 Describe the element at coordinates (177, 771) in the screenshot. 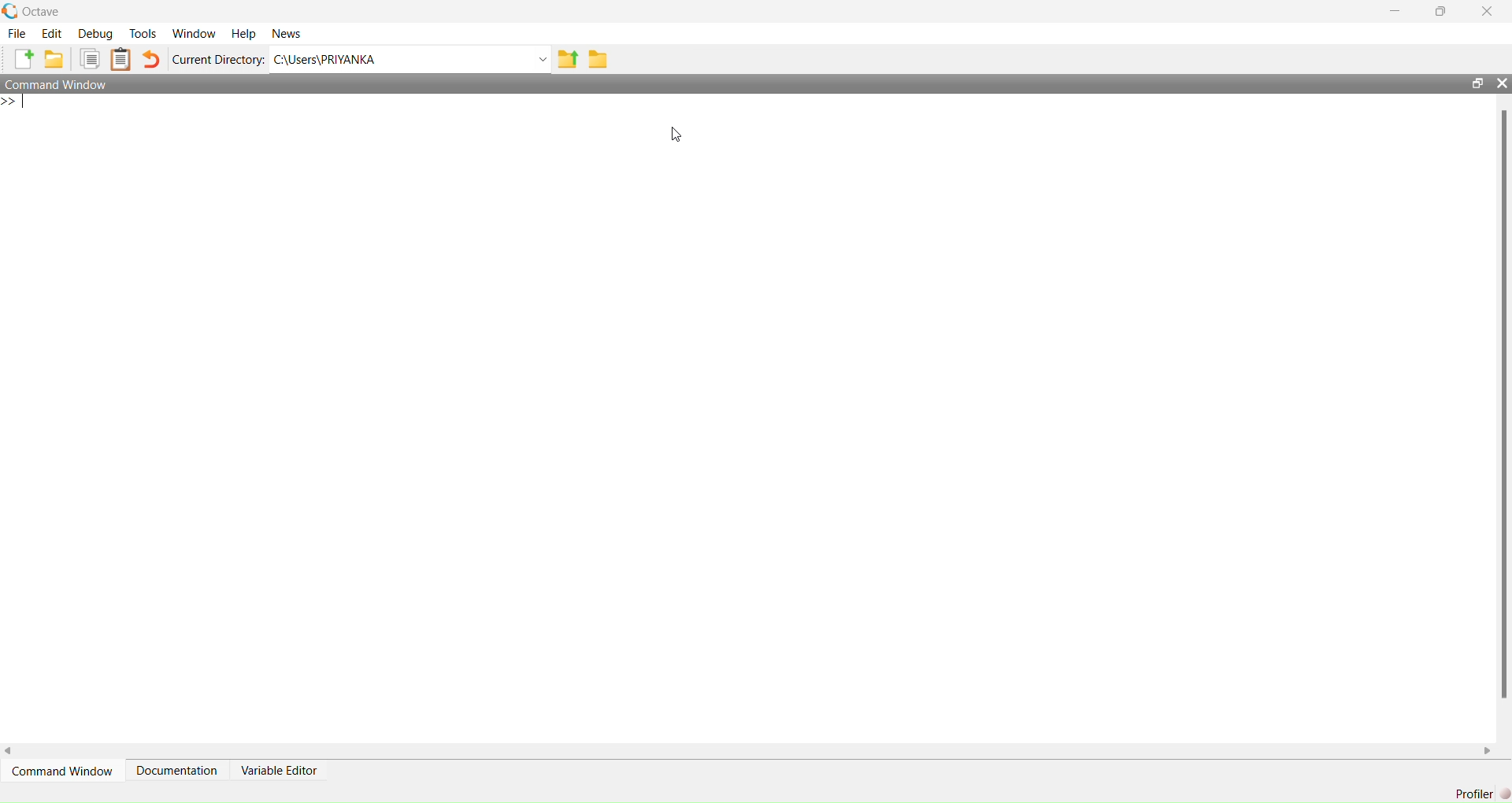

I see `Documentation ` at that location.